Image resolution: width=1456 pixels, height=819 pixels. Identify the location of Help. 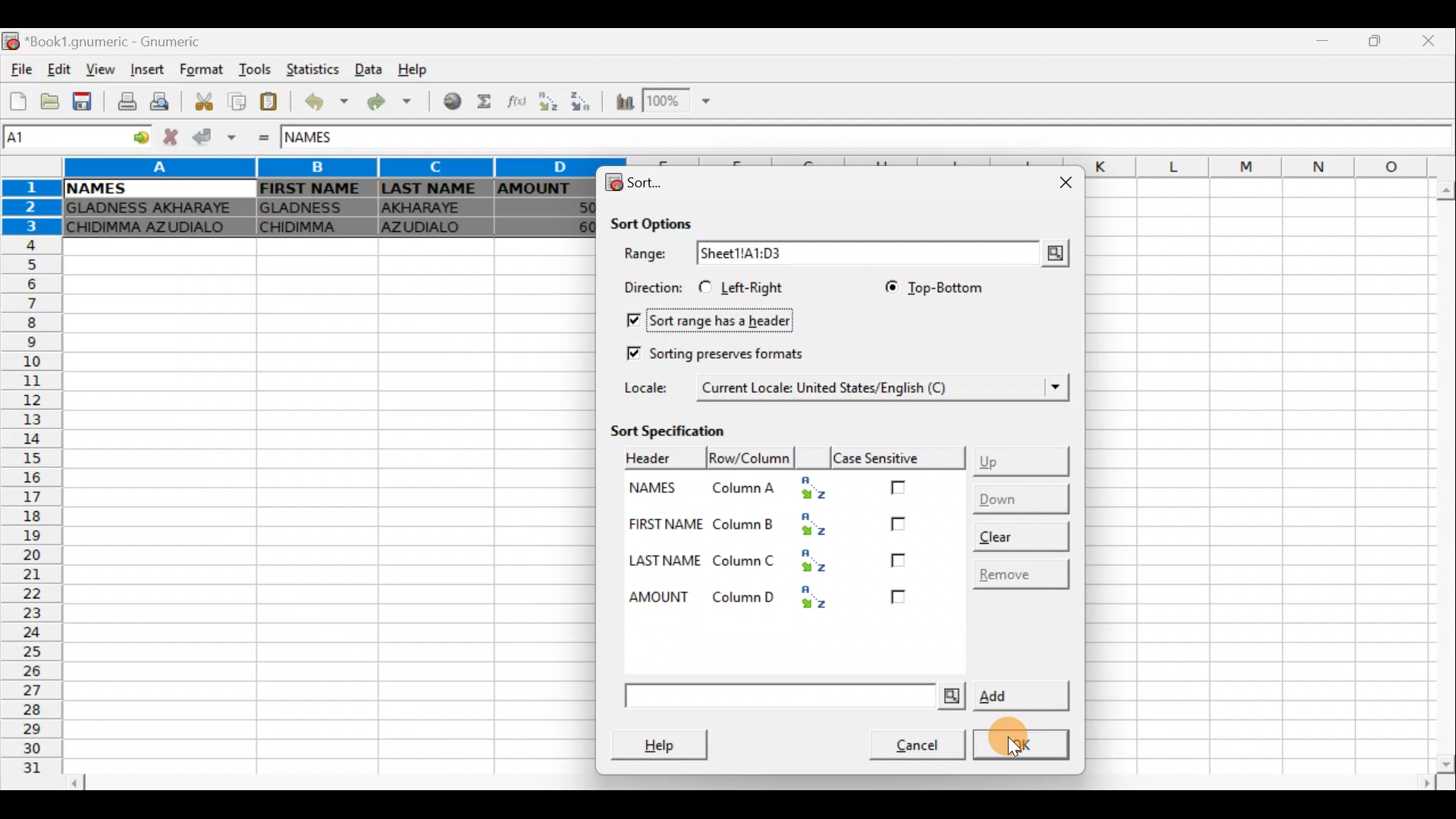
(667, 743).